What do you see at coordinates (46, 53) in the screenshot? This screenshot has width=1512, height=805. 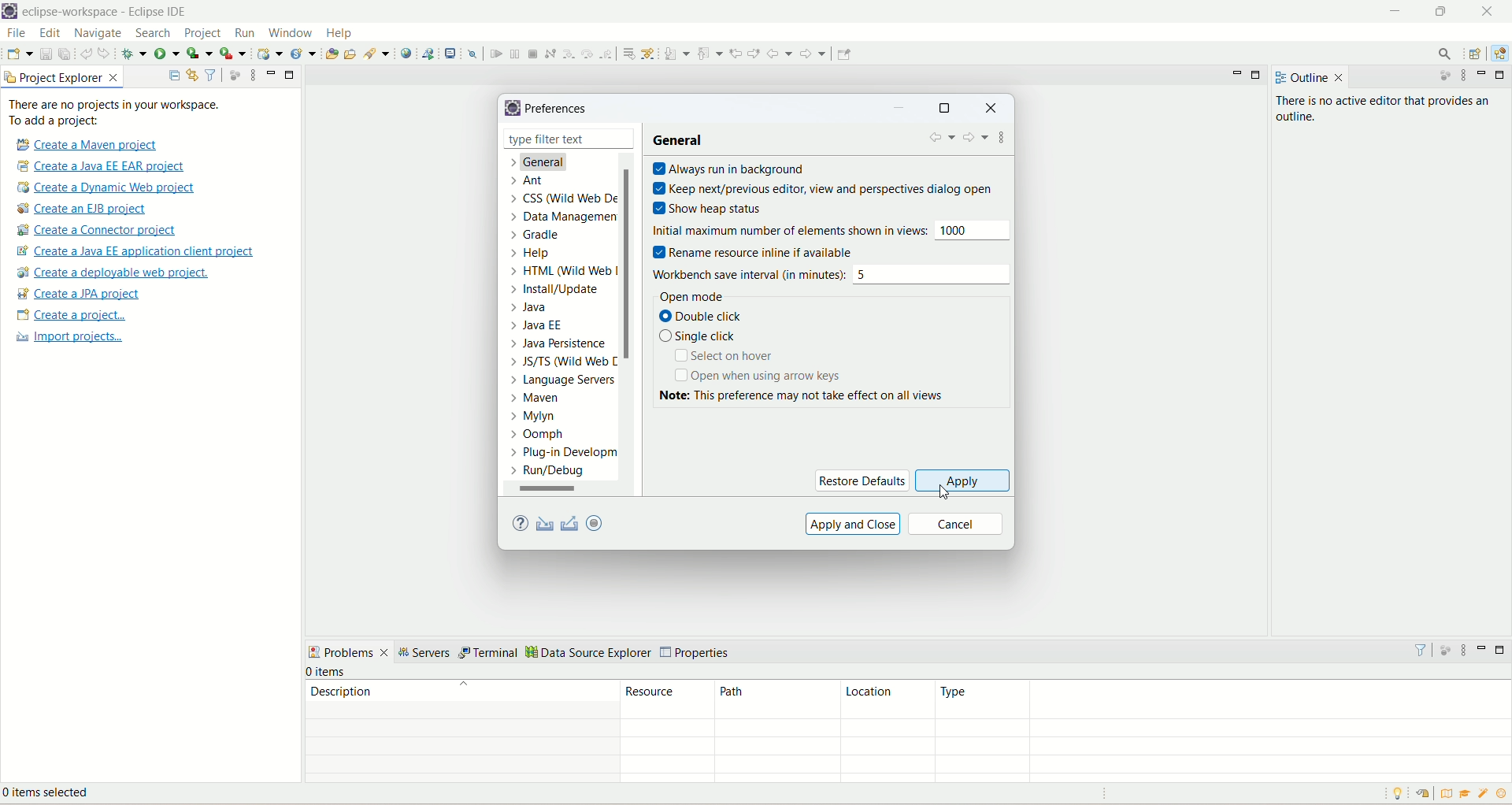 I see `save` at bounding box center [46, 53].